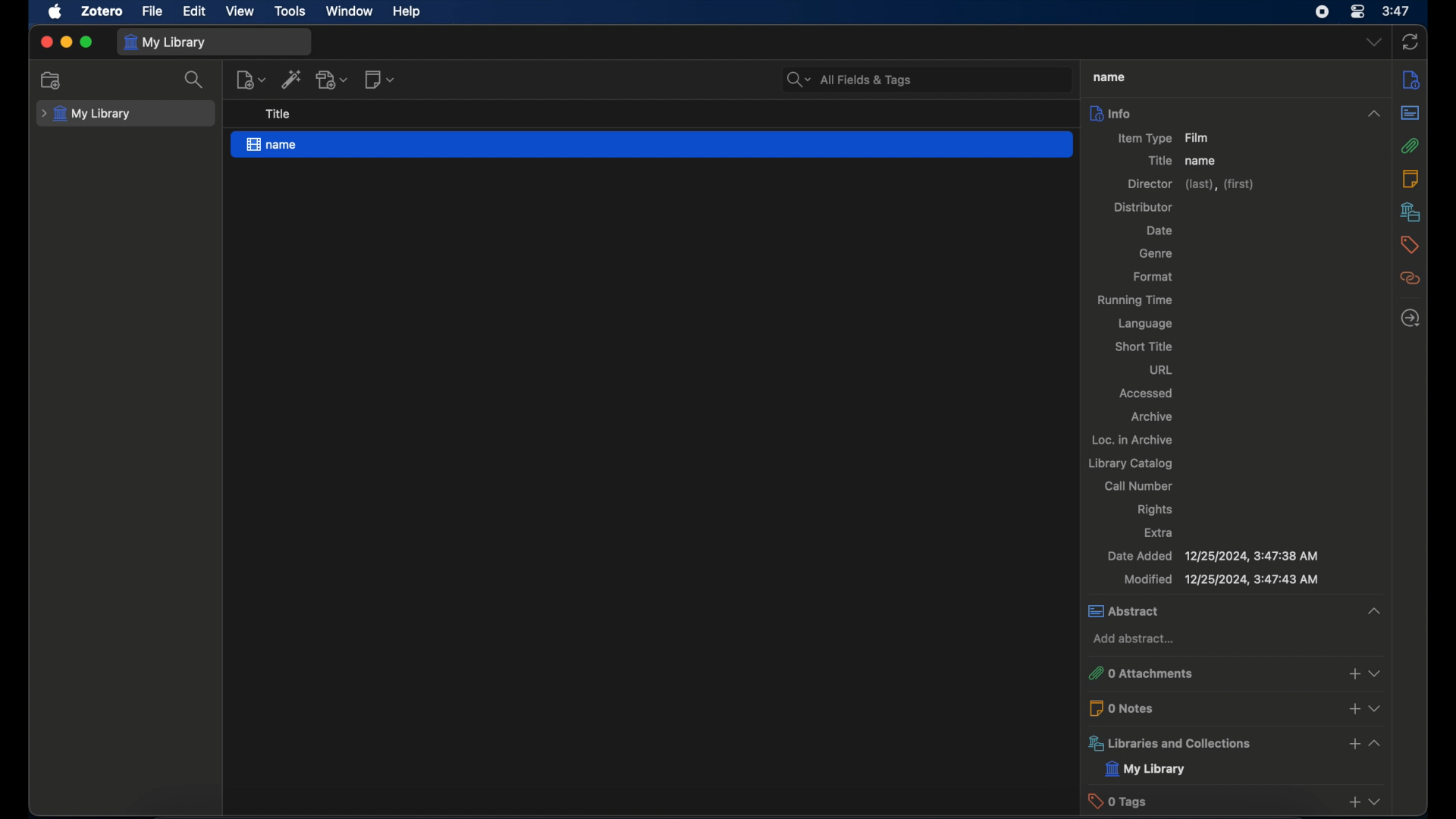 The height and width of the screenshot is (819, 1456). Describe the element at coordinates (1414, 80) in the screenshot. I see `info` at that location.